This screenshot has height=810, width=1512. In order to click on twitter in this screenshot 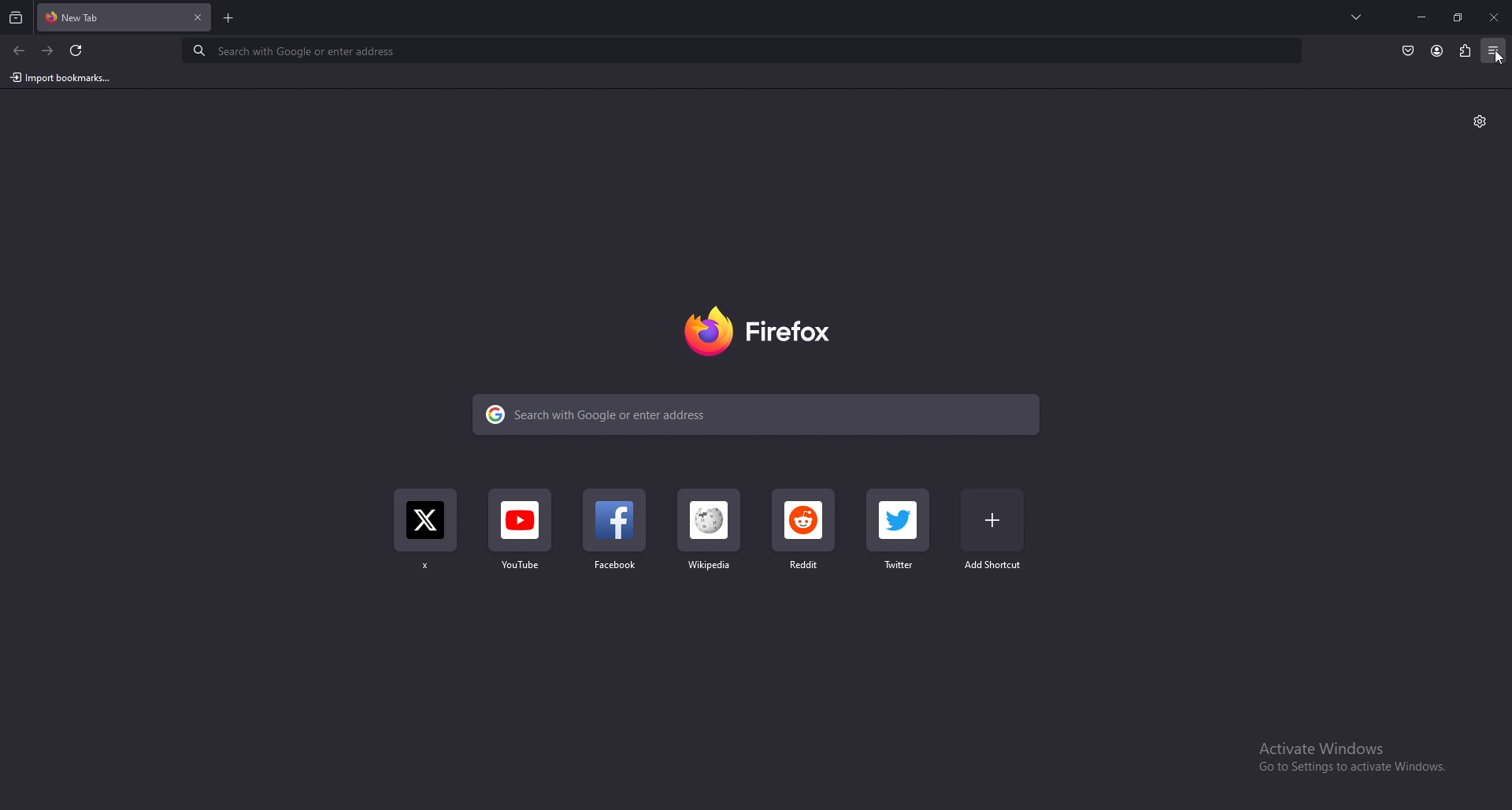, I will do `click(425, 536)`.